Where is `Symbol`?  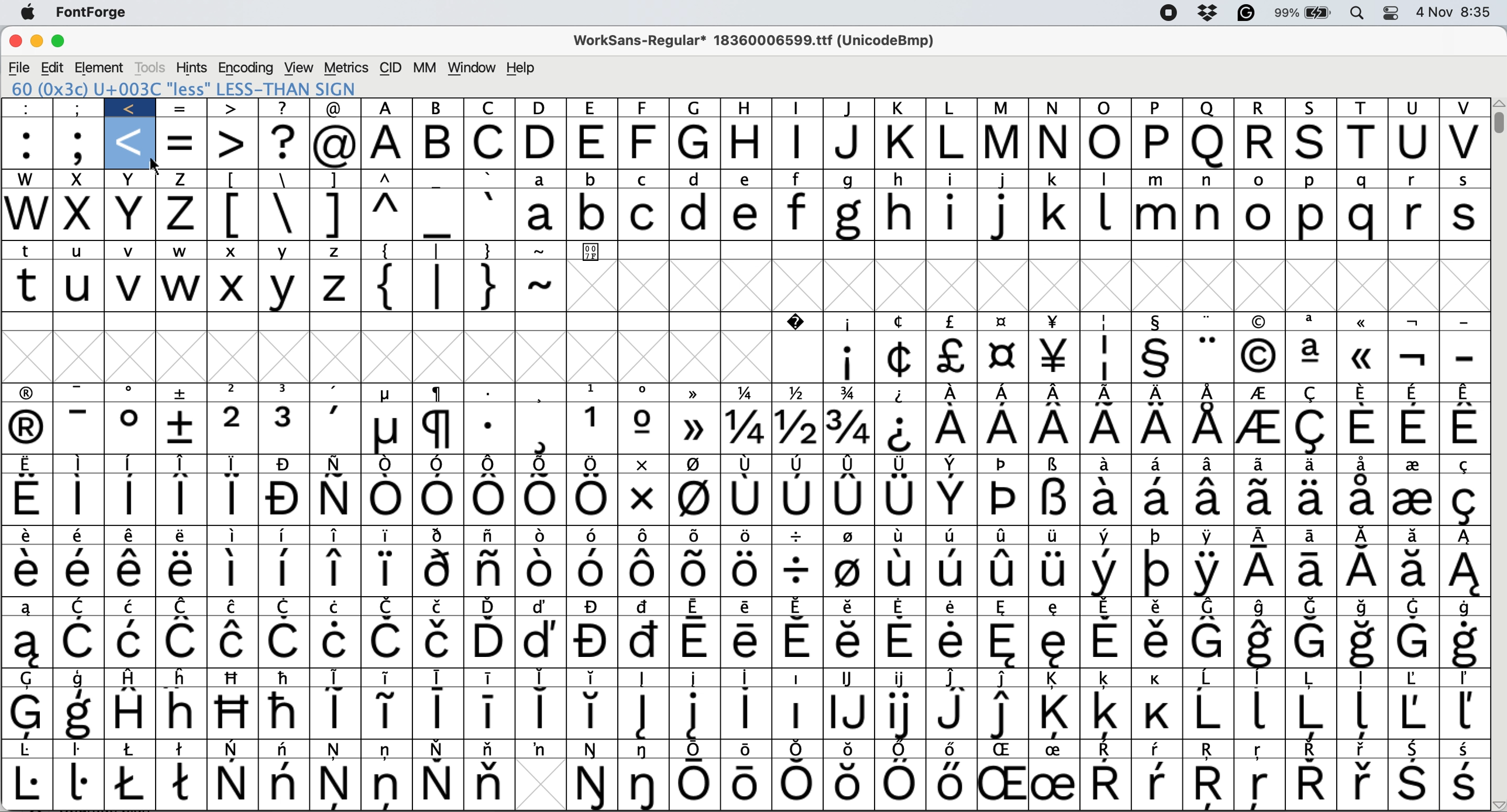 Symbol is located at coordinates (747, 785).